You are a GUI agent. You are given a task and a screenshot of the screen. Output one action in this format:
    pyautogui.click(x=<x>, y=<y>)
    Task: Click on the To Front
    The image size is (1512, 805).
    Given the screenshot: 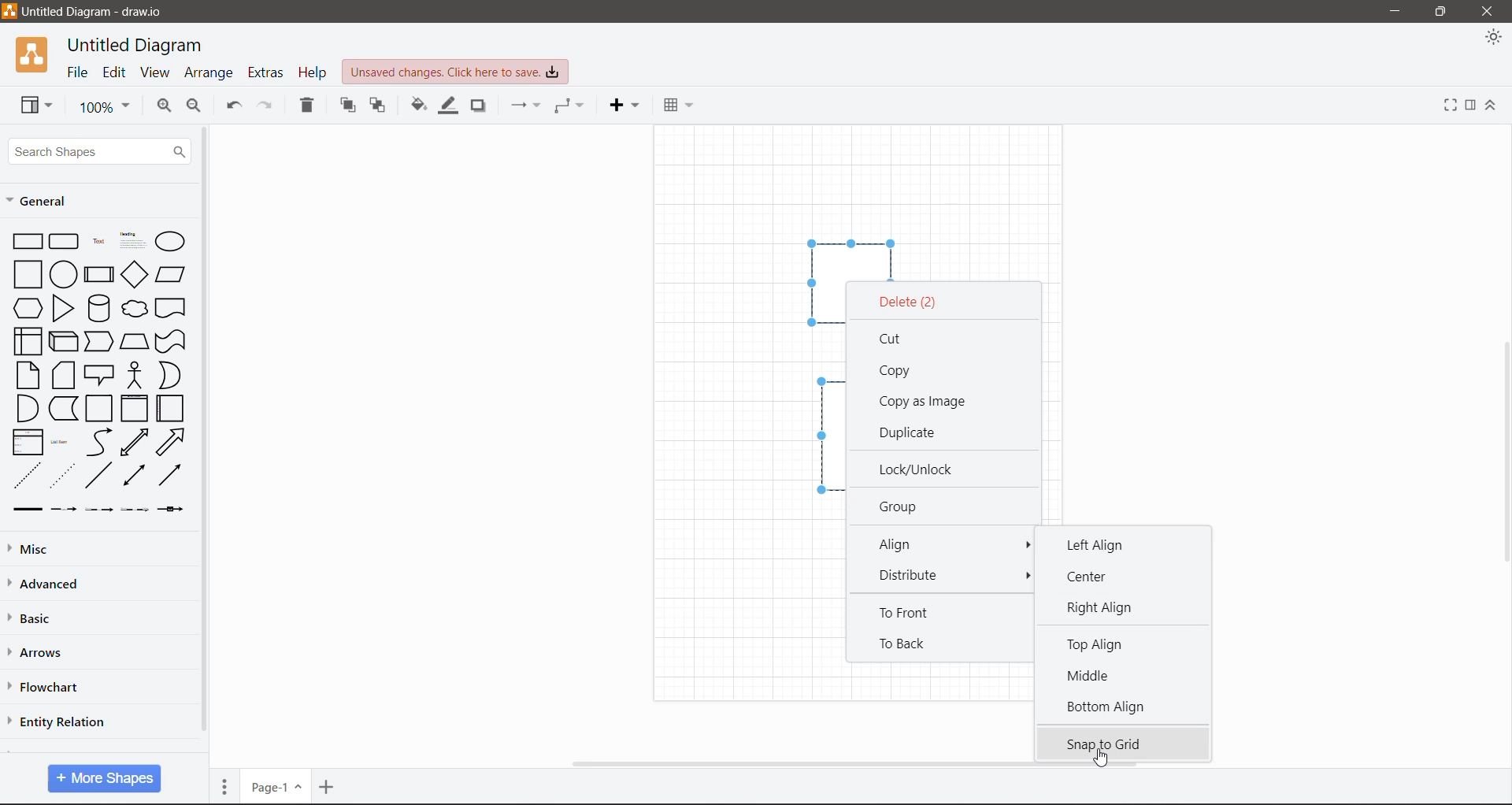 What is the action you would take?
    pyautogui.click(x=912, y=614)
    